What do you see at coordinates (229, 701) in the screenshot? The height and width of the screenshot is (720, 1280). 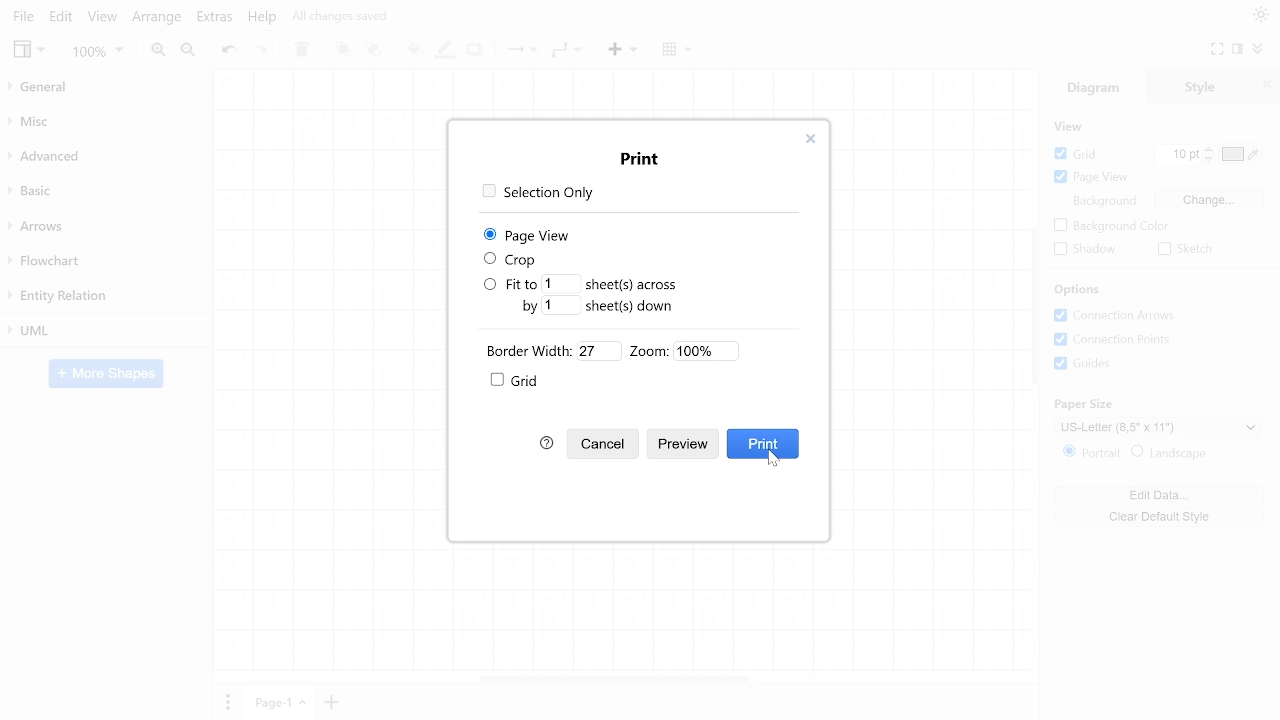 I see `Pages` at bounding box center [229, 701].